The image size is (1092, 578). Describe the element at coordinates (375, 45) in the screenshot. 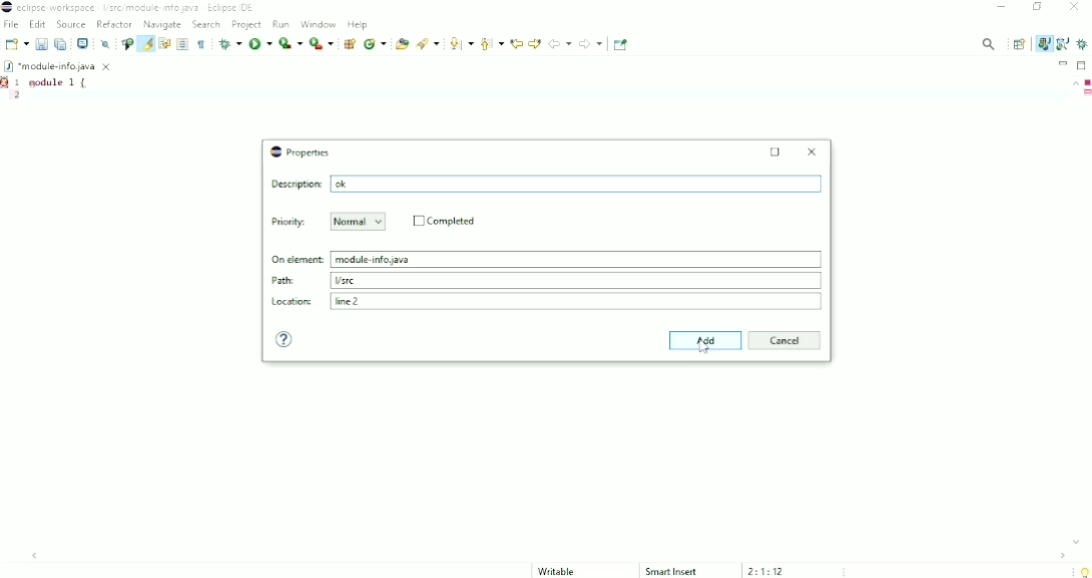

I see `New java class` at that location.